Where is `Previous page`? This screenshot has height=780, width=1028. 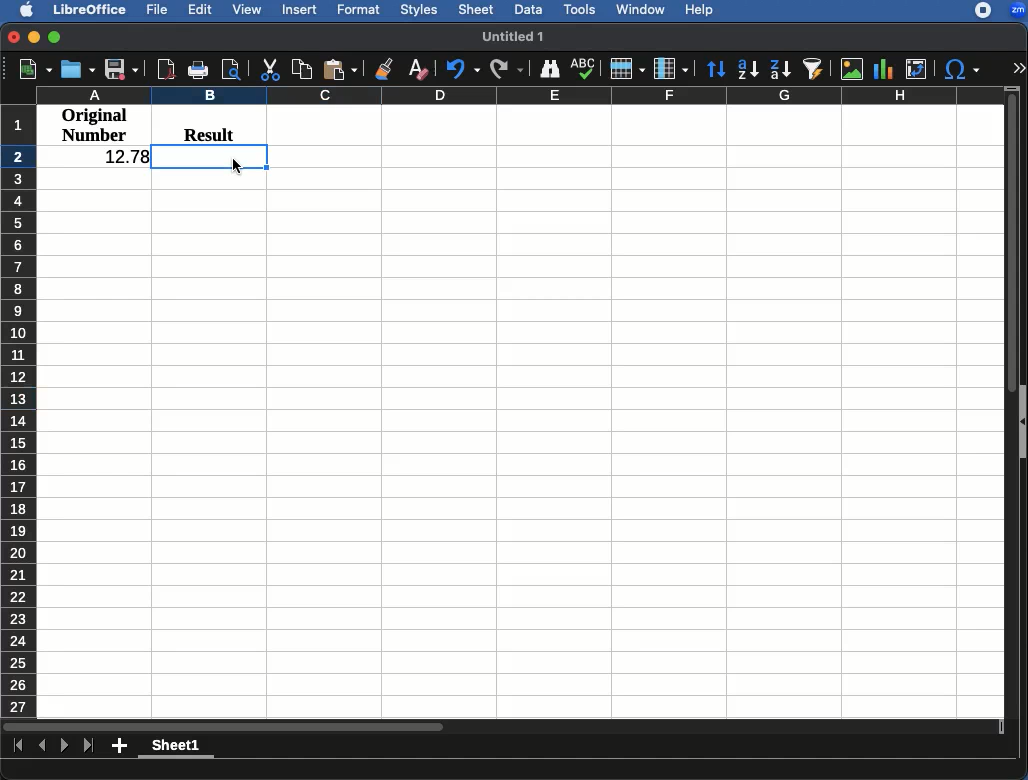 Previous page is located at coordinates (42, 745).